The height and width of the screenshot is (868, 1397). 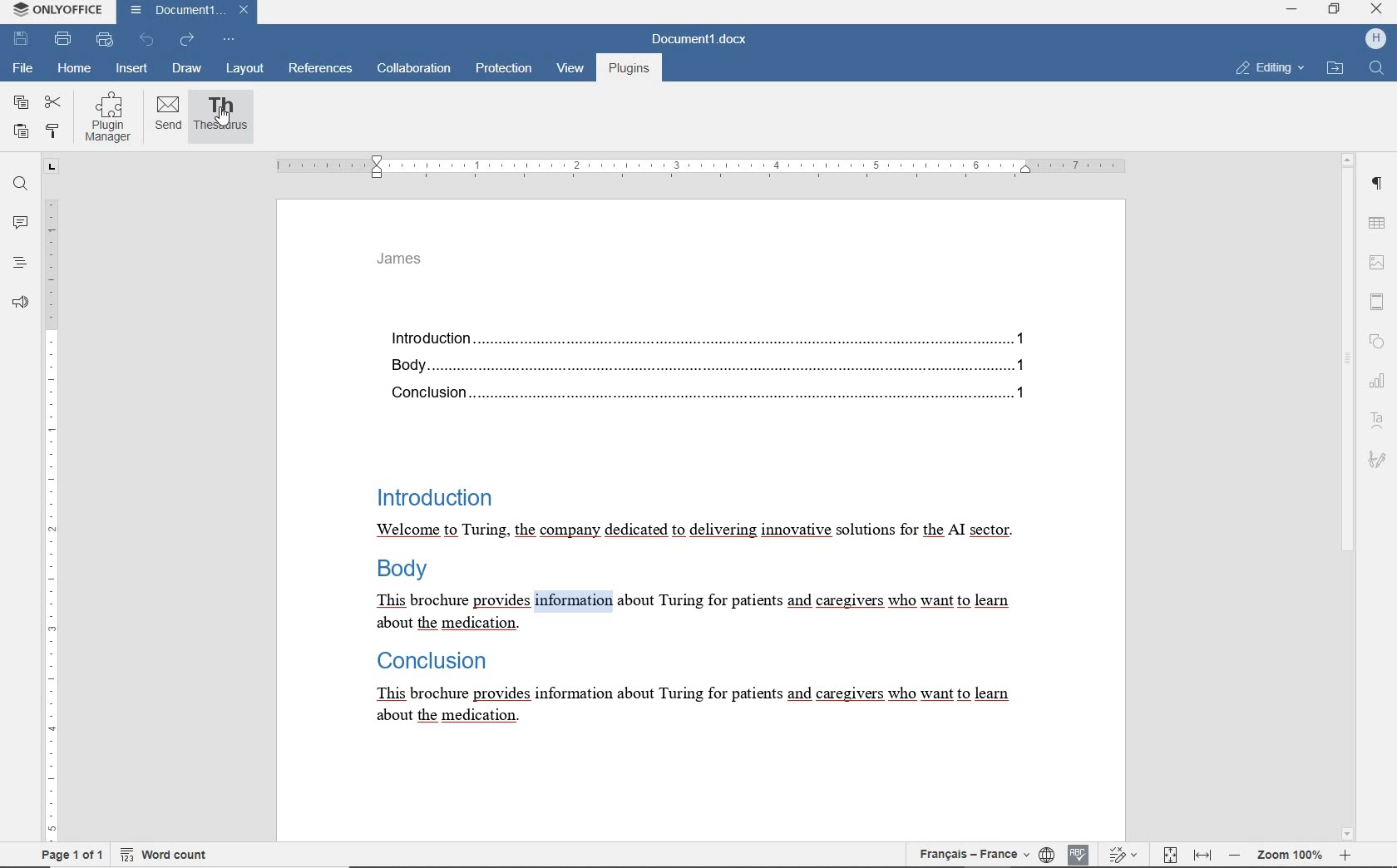 What do you see at coordinates (1379, 462) in the screenshot?
I see `SIGNATURE` at bounding box center [1379, 462].